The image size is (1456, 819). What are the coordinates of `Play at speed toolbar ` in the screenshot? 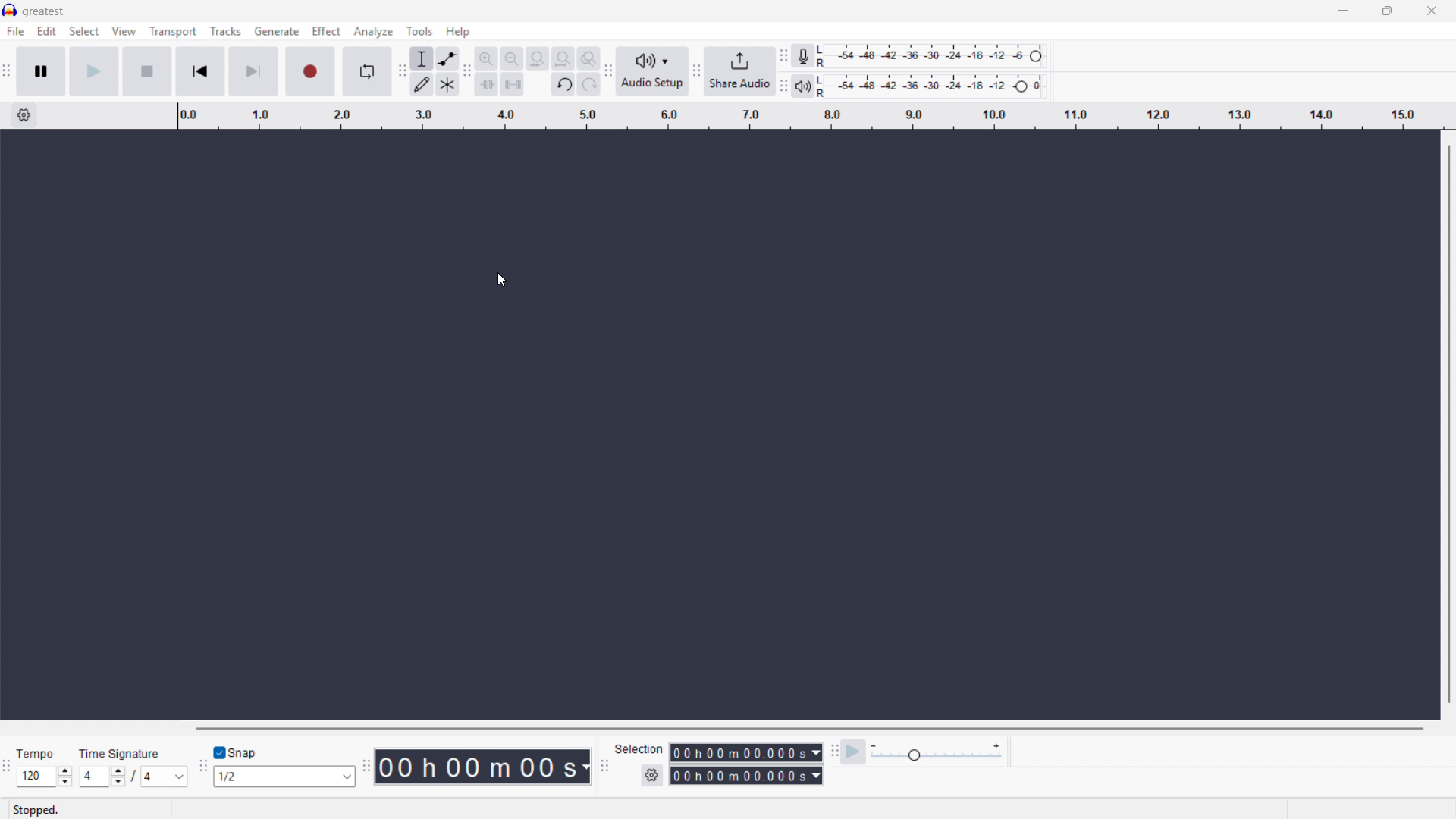 It's located at (834, 754).